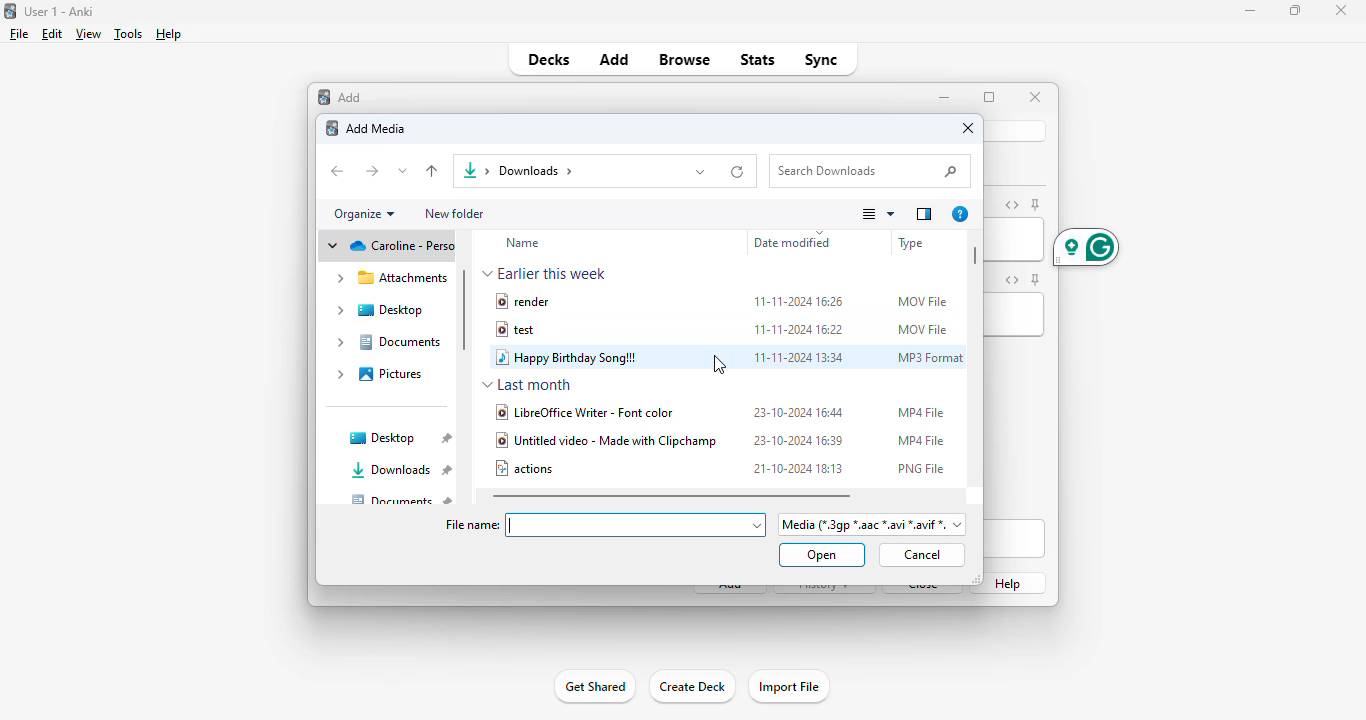  I want to click on change your view, so click(878, 213).